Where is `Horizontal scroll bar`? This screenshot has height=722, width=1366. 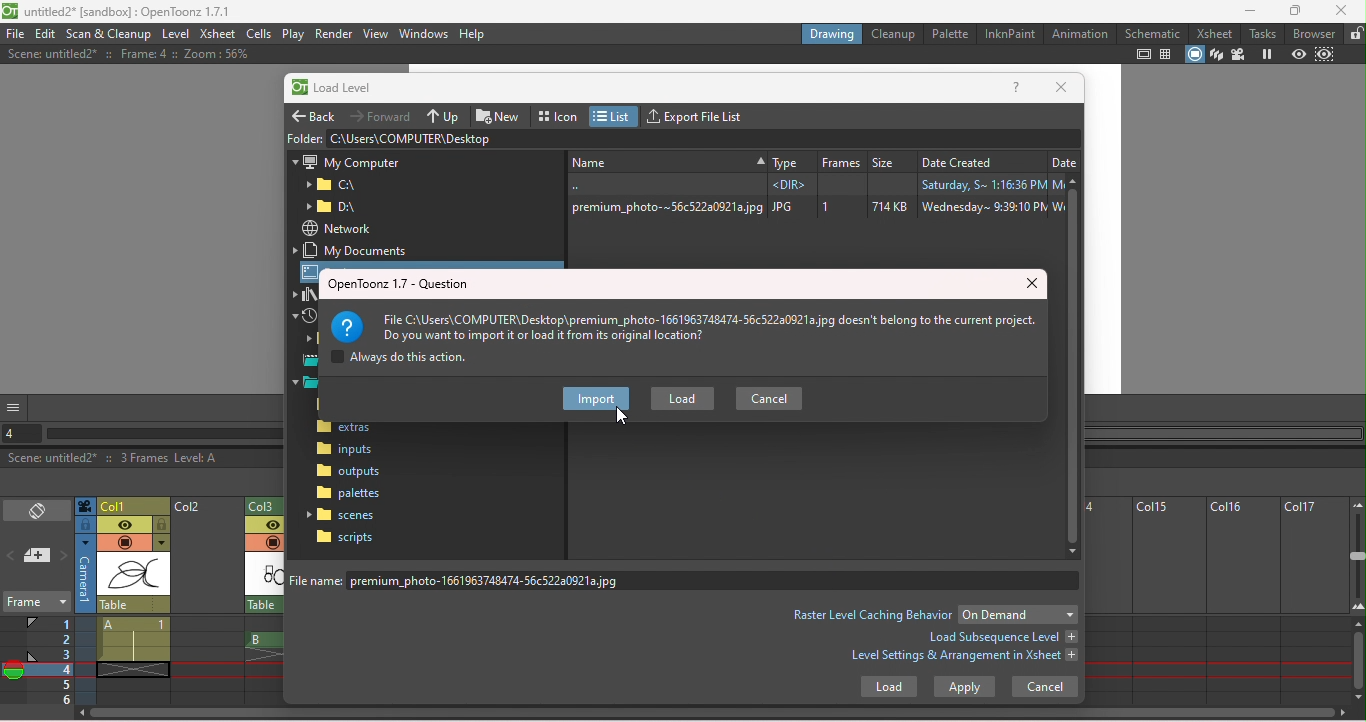
Horizontal scroll bar is located at coordinates (717, 715).